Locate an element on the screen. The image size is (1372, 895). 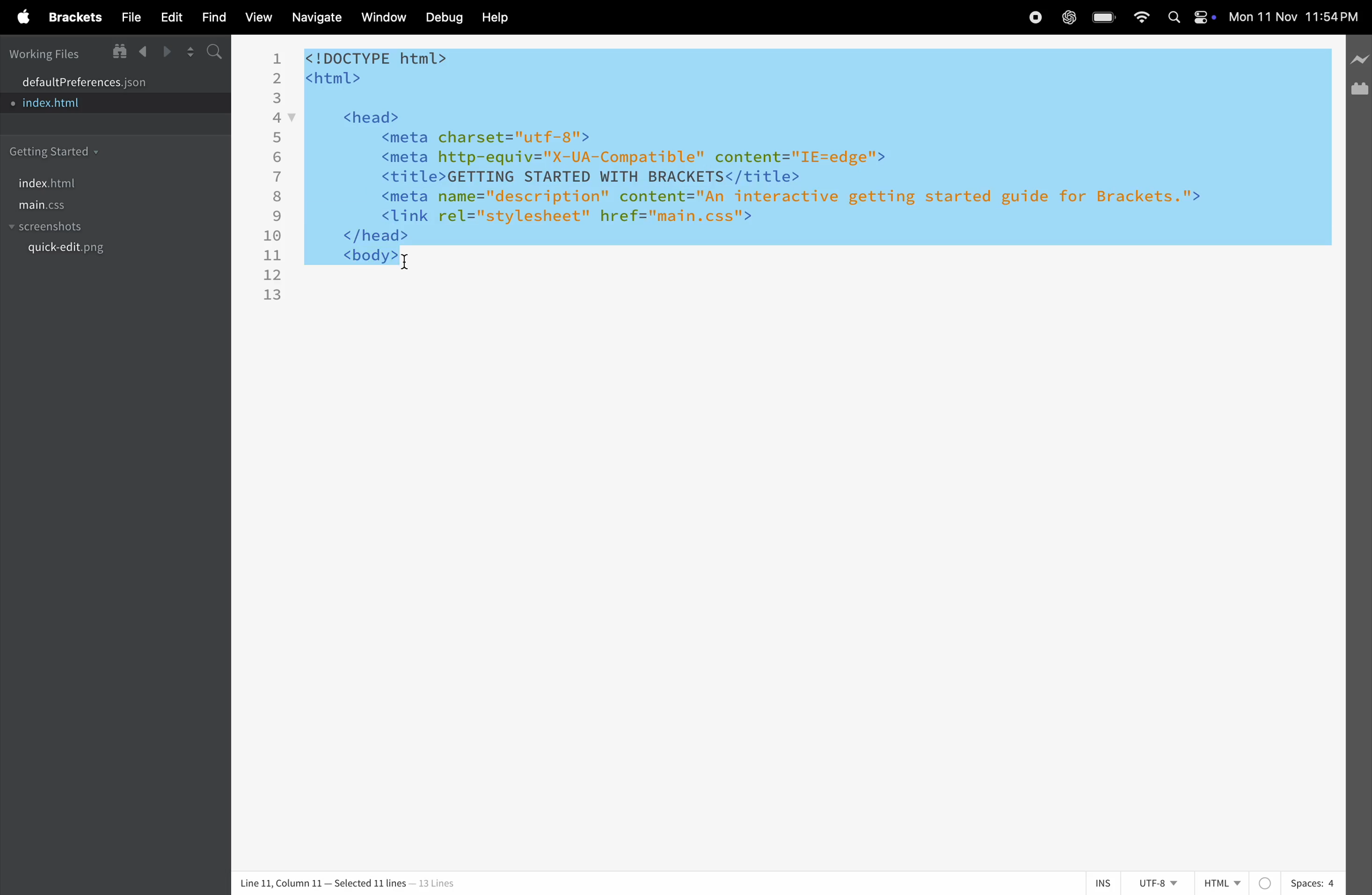
brackets is located at coordinates (72, 16).